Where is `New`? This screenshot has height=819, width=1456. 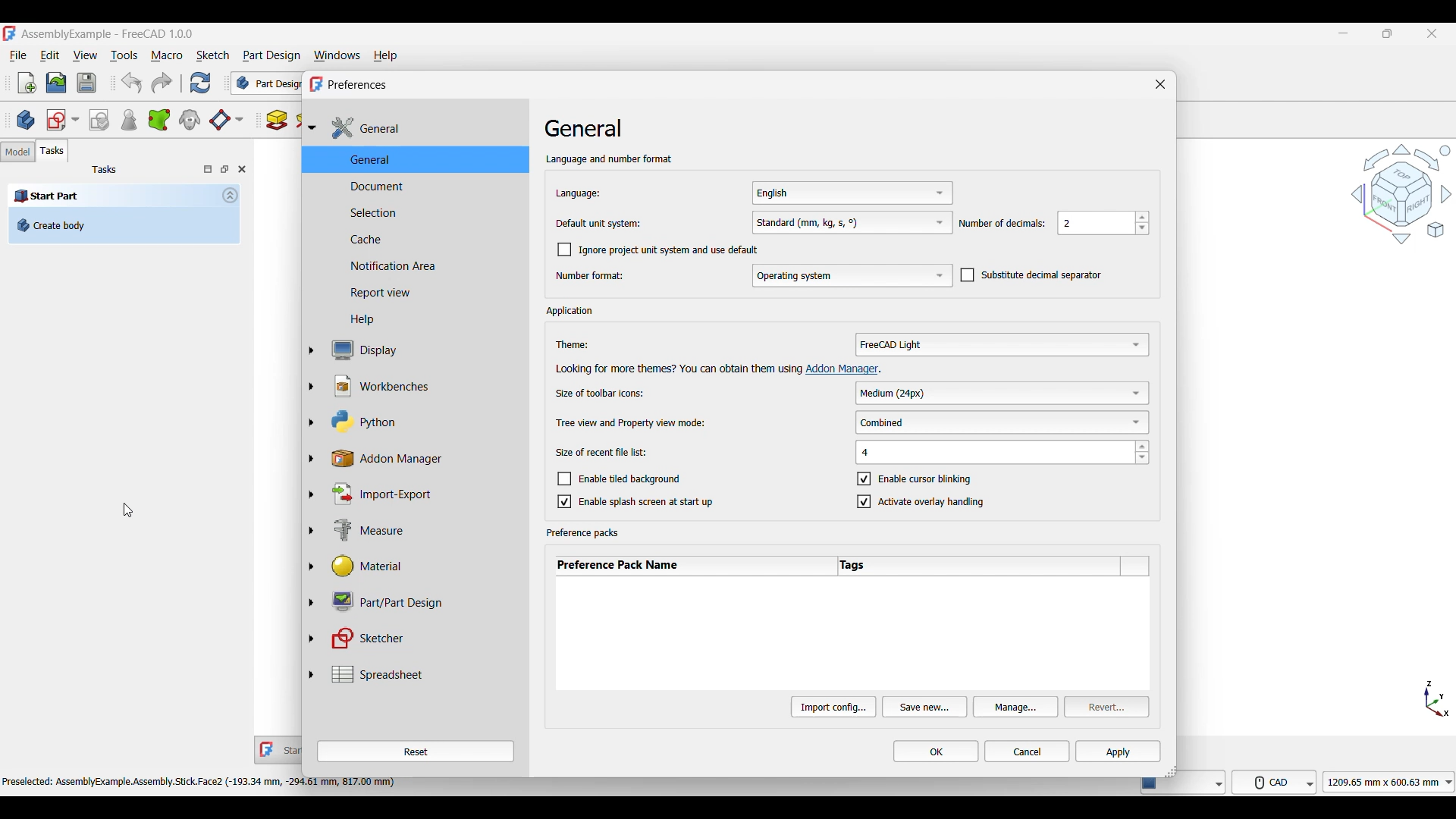 New is located at coordinates (27, 83).